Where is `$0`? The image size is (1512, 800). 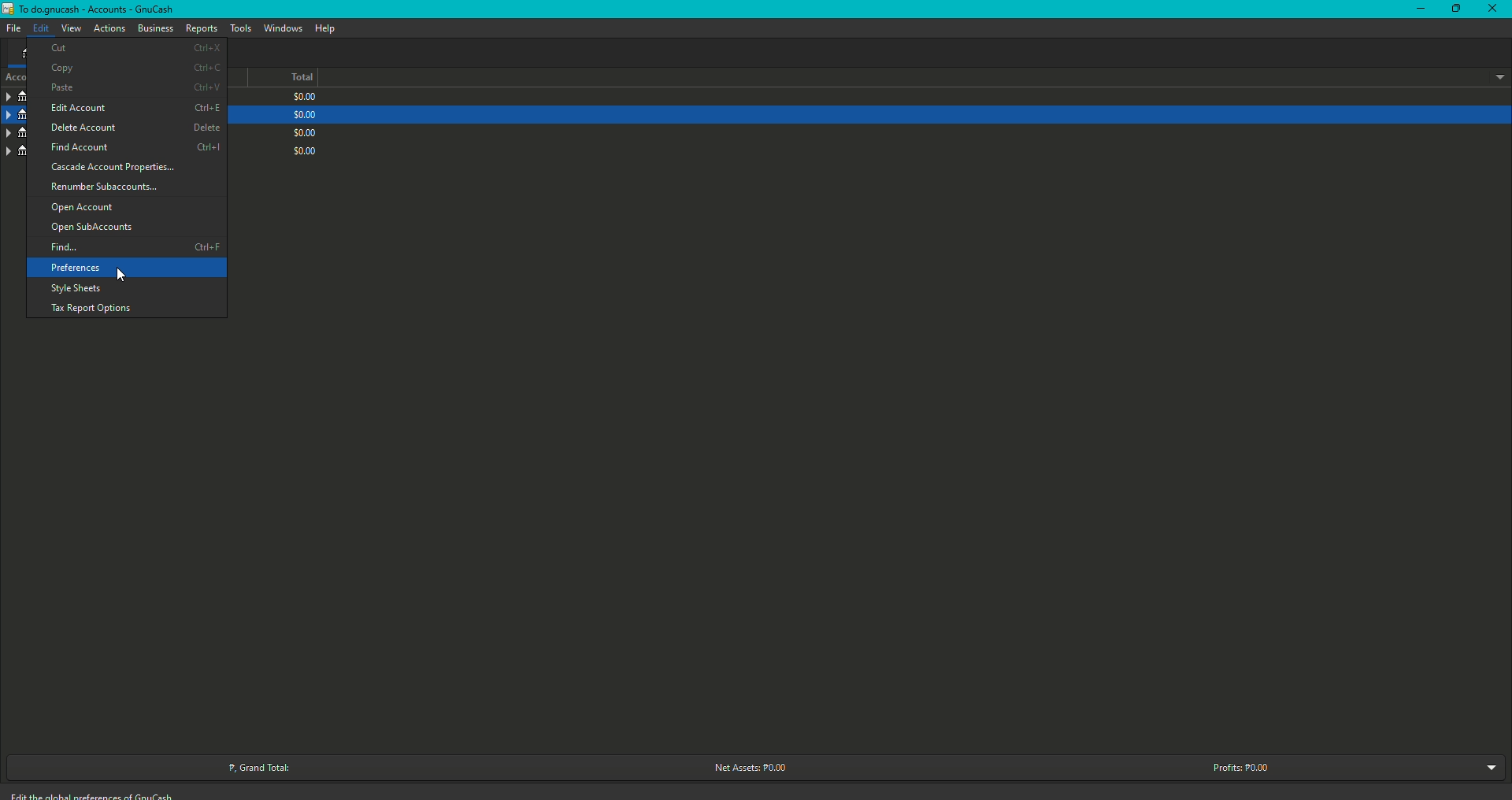
$0 is located at coordinates (302, 100).